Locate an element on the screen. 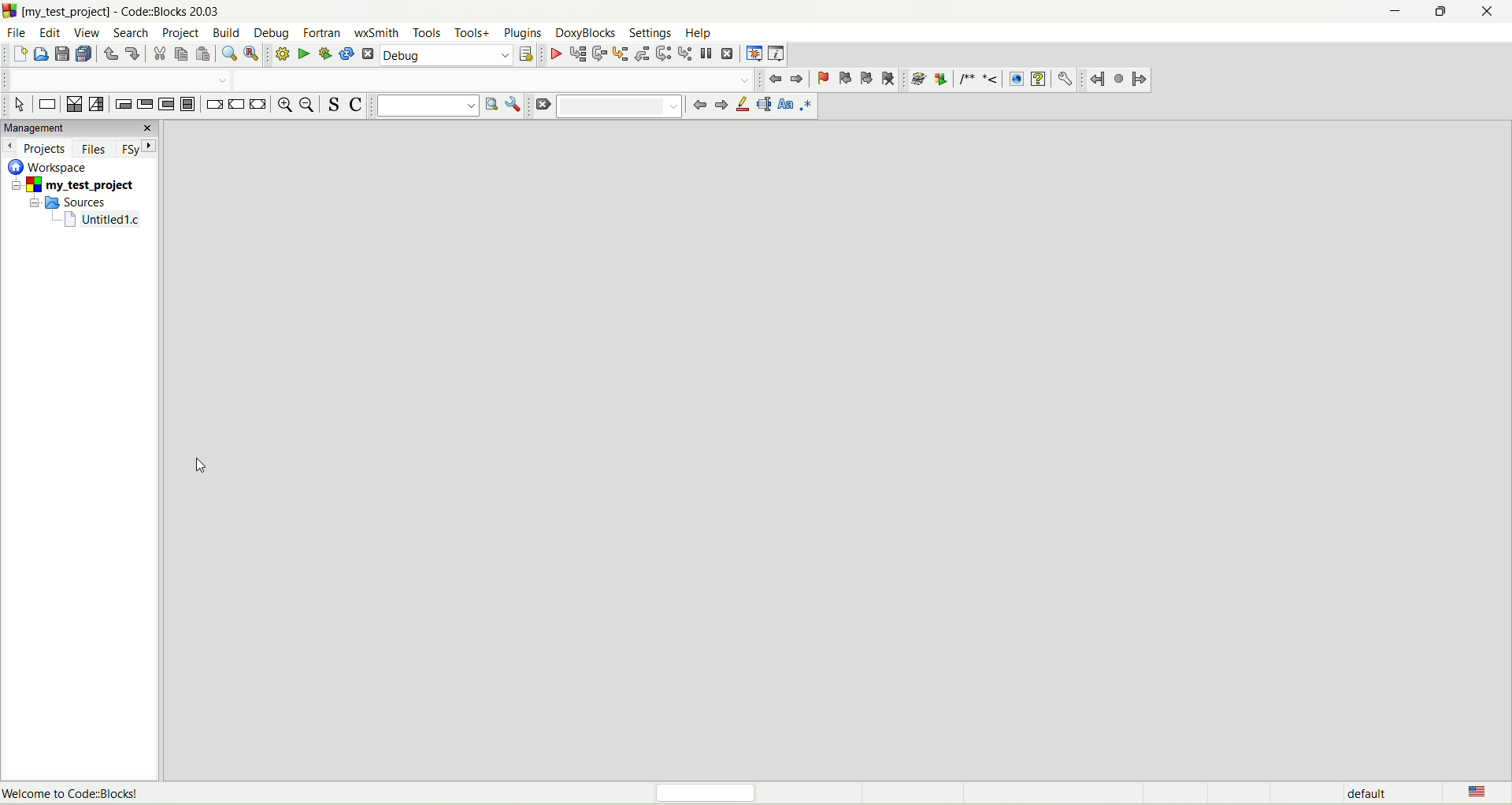  save everything is located at coordinates (83, 55).